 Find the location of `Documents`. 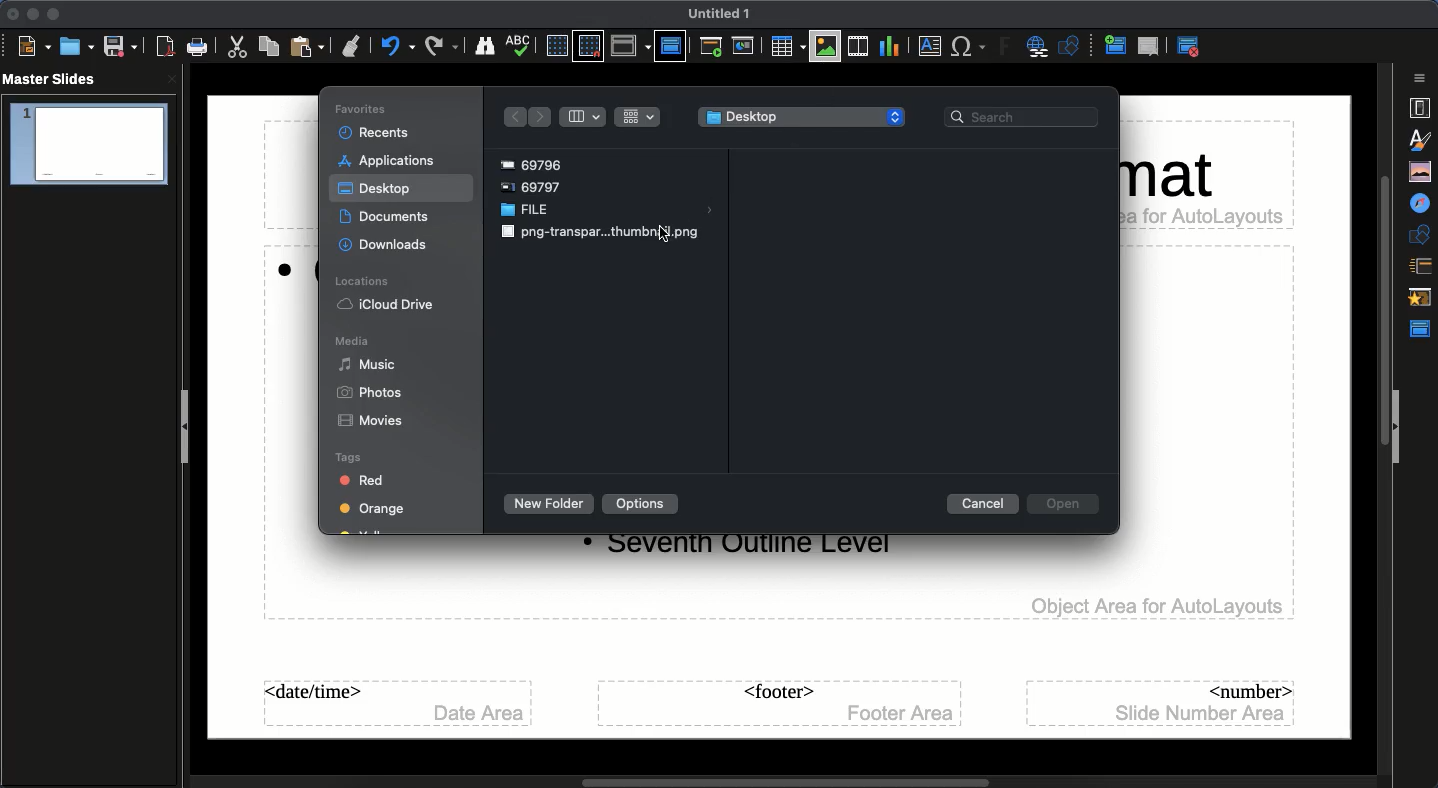

Documents is located at coordinates (387, 217).